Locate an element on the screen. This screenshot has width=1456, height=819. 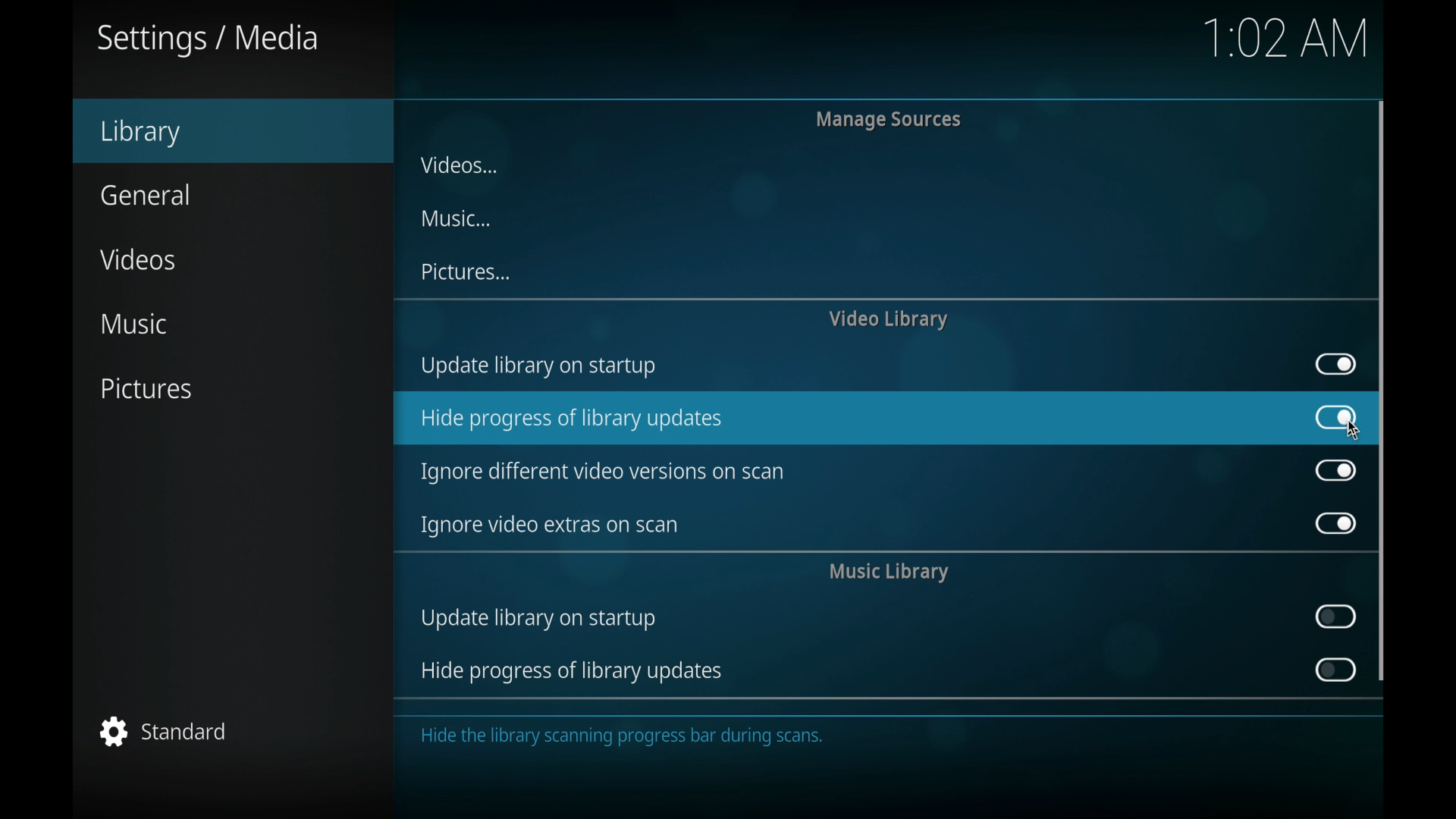
toggle button is located at coordinates (1336, 418).